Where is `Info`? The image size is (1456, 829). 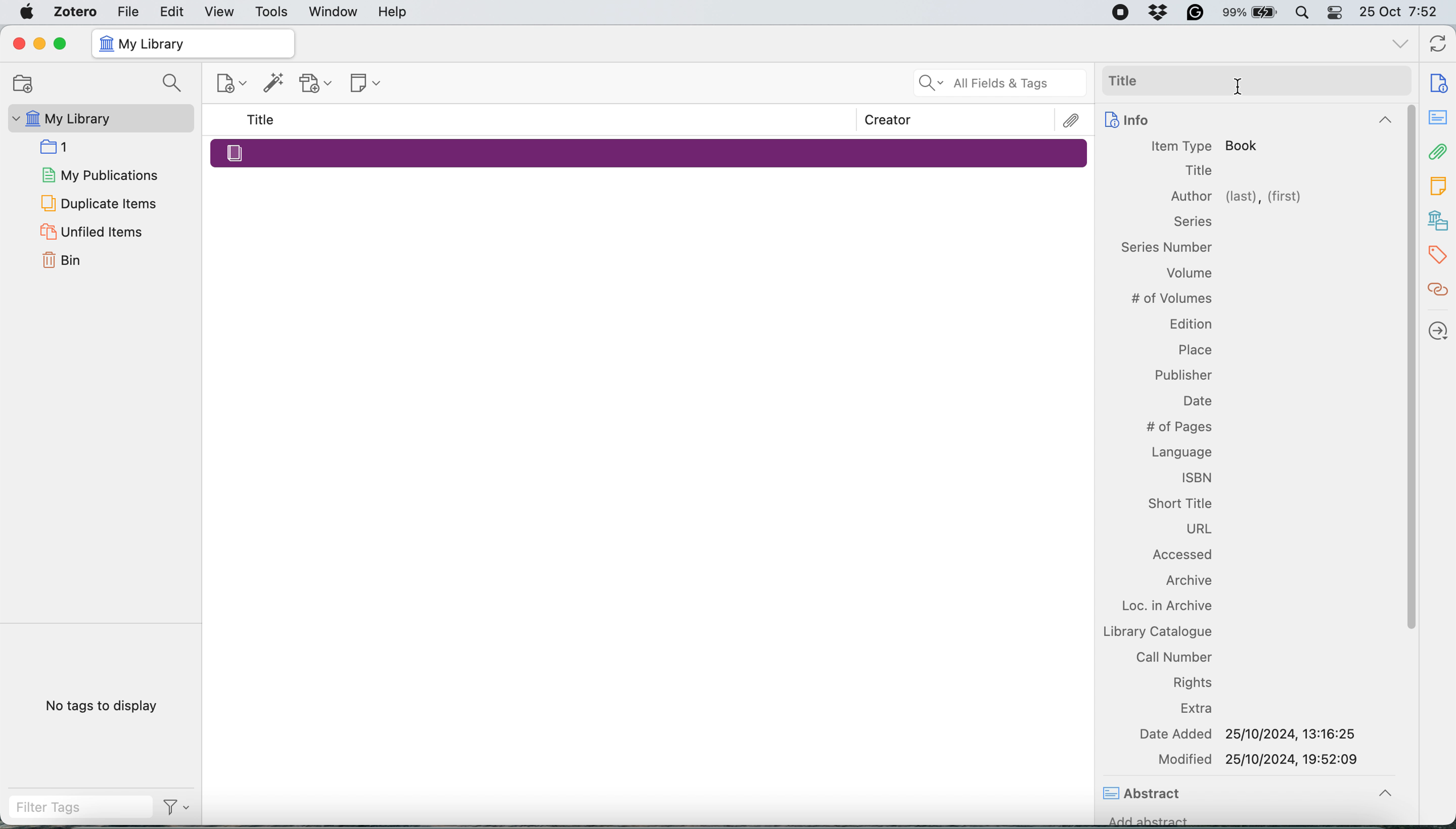 Info is located at coordinates (1246, 121).